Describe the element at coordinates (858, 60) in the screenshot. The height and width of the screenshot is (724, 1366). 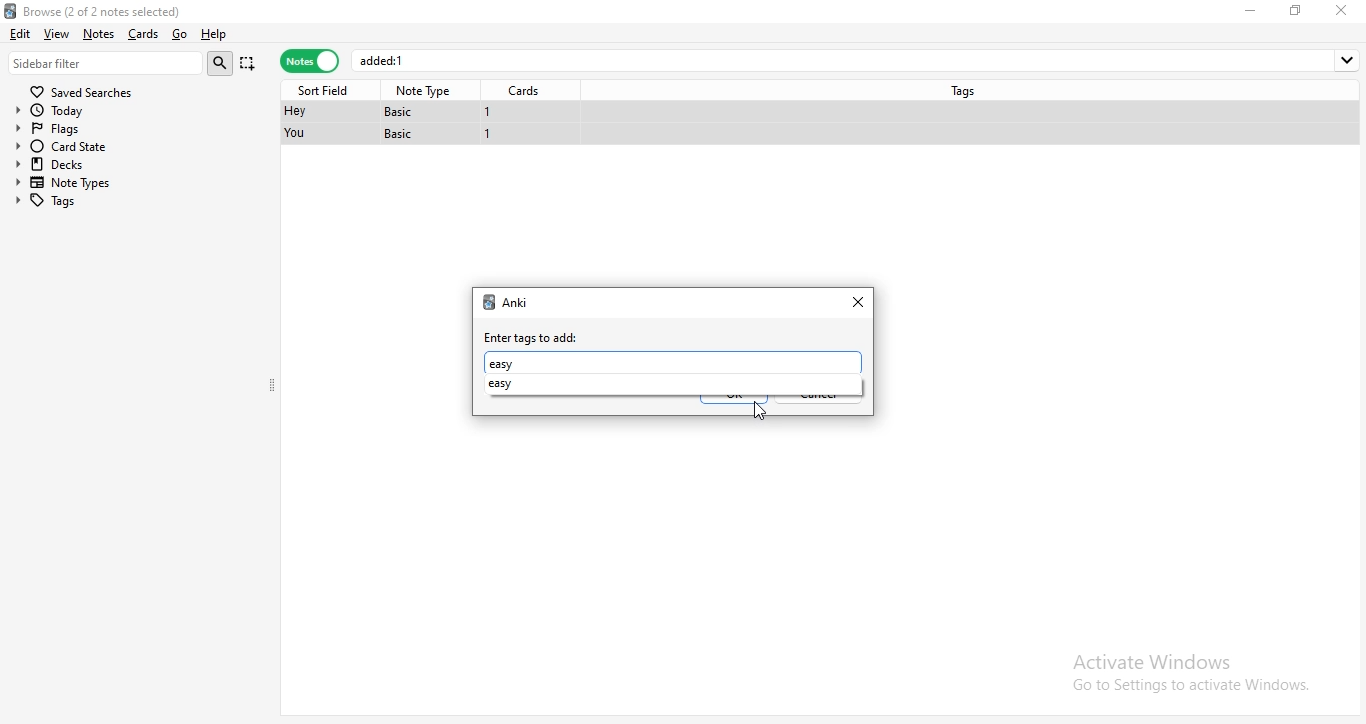
I see `added:1` at that location.